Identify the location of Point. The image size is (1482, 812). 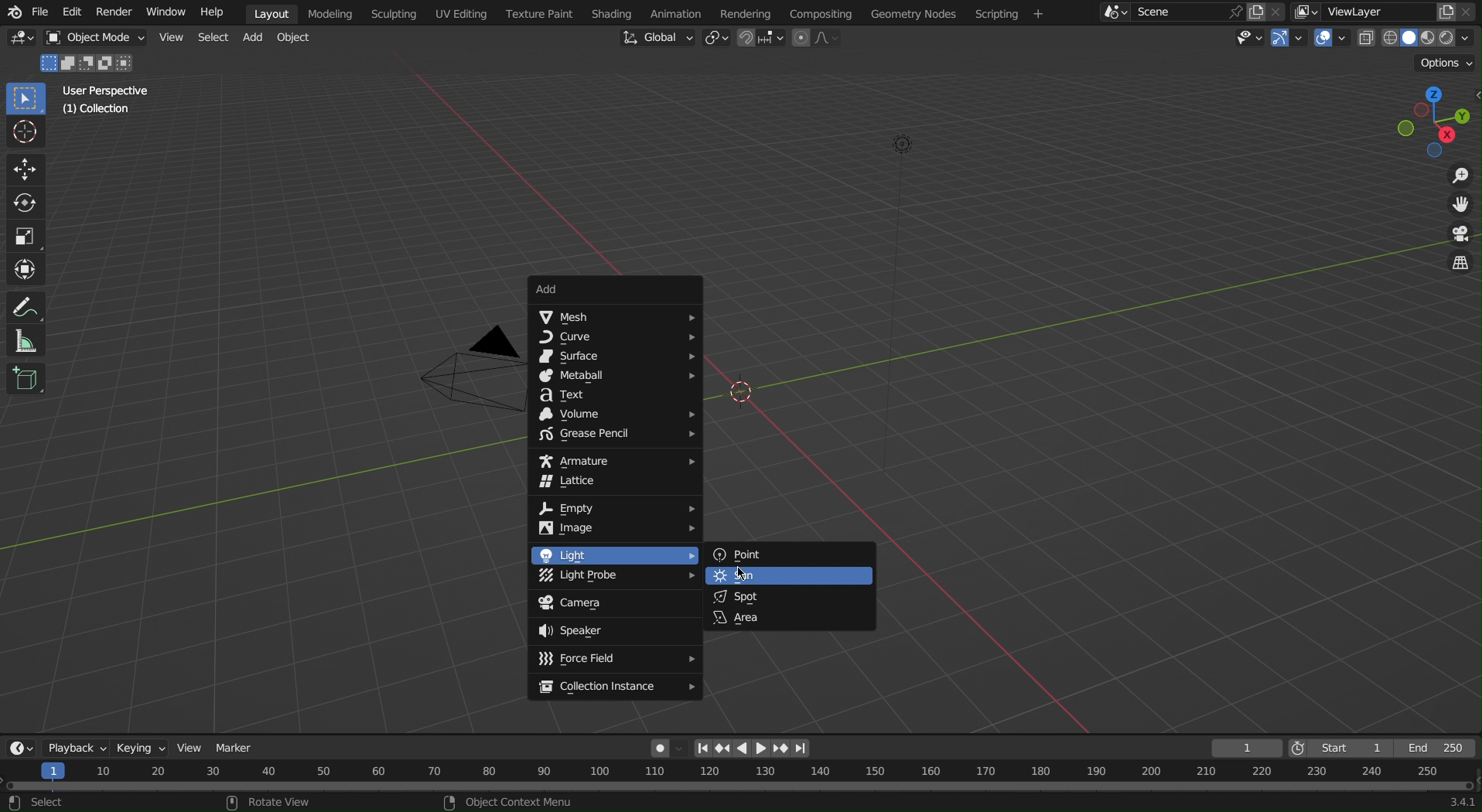
(787, 555).